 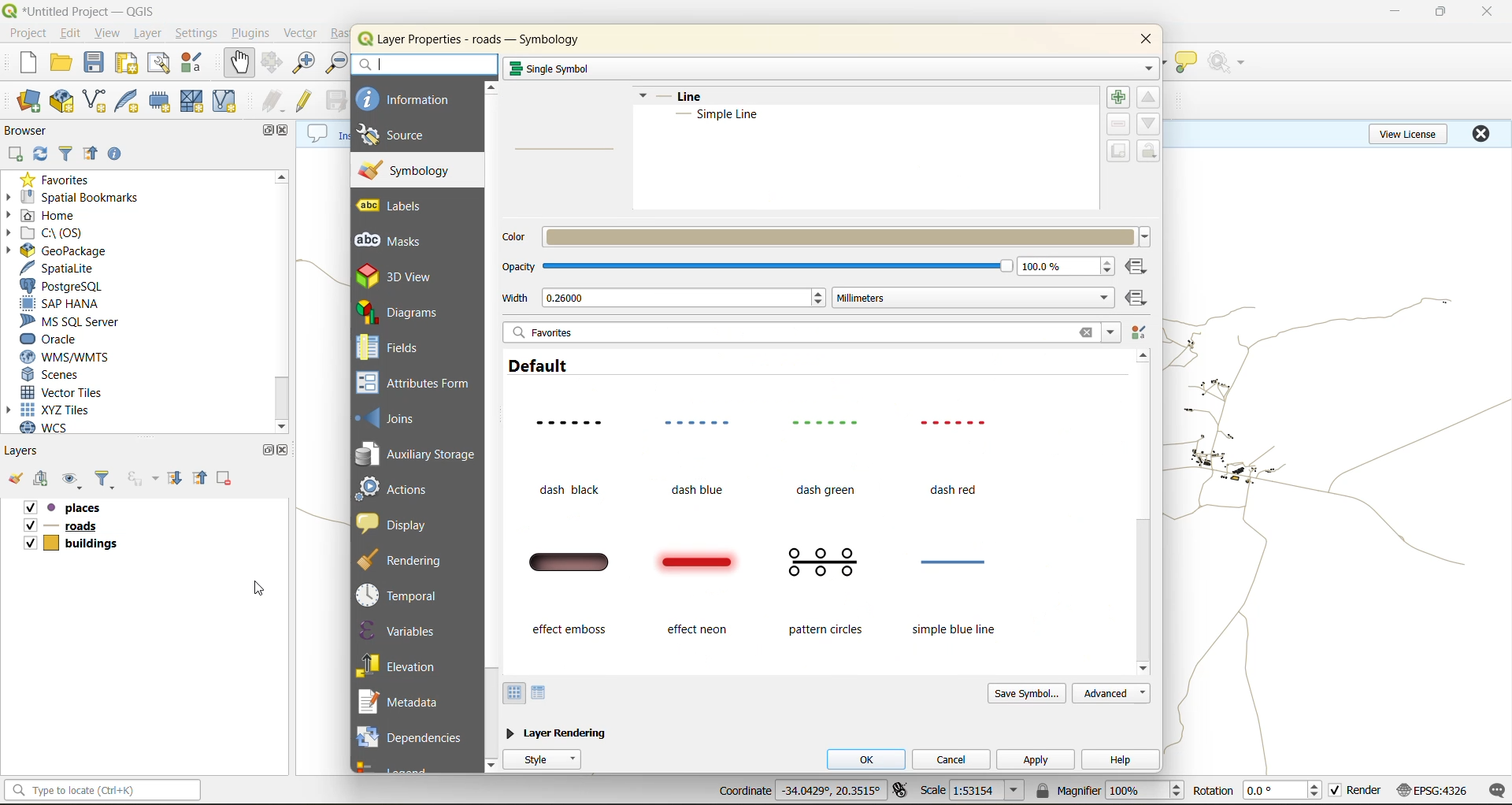 I want to click on expand all, so click(x=175, y=477).